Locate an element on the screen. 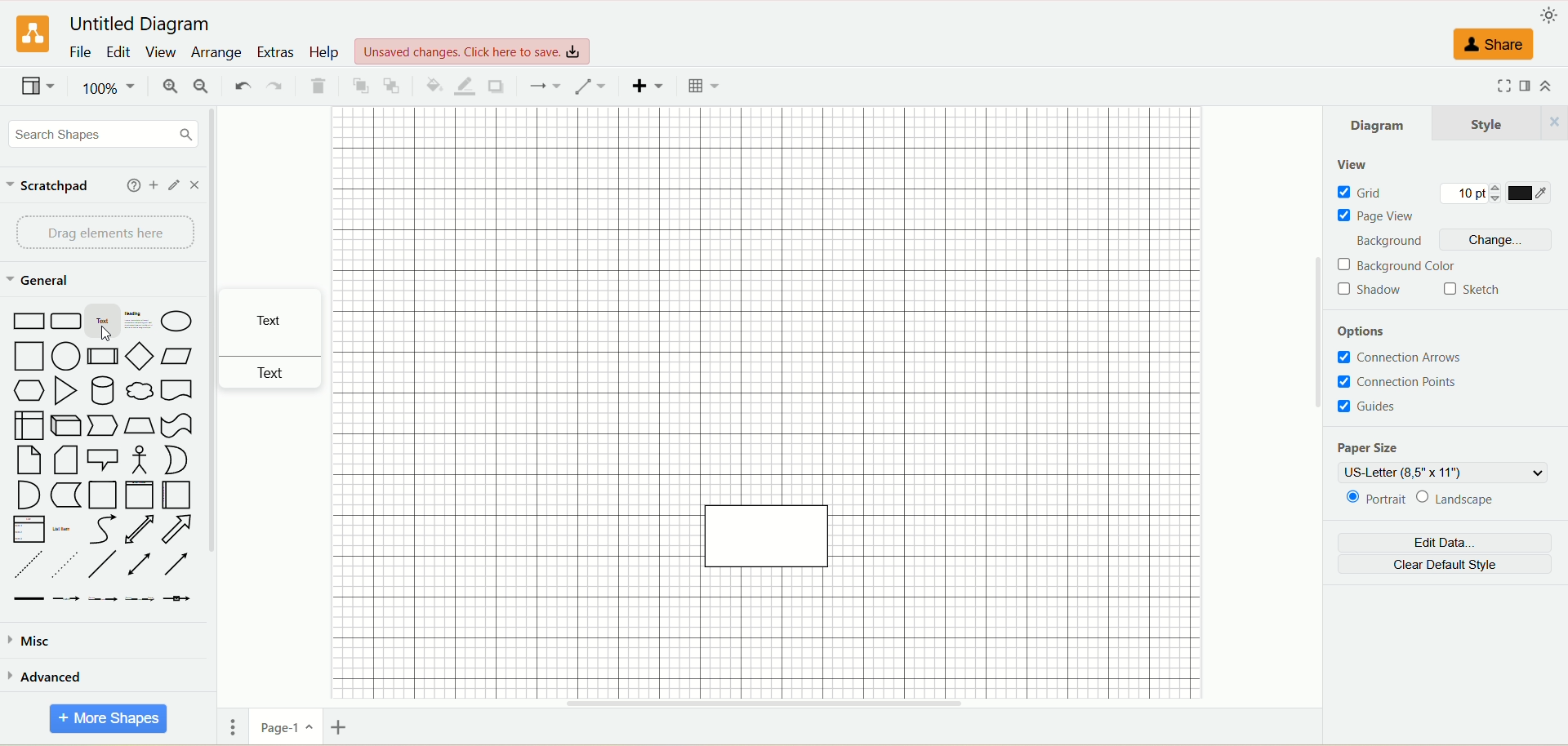  text is located at coordinates (278, 322).